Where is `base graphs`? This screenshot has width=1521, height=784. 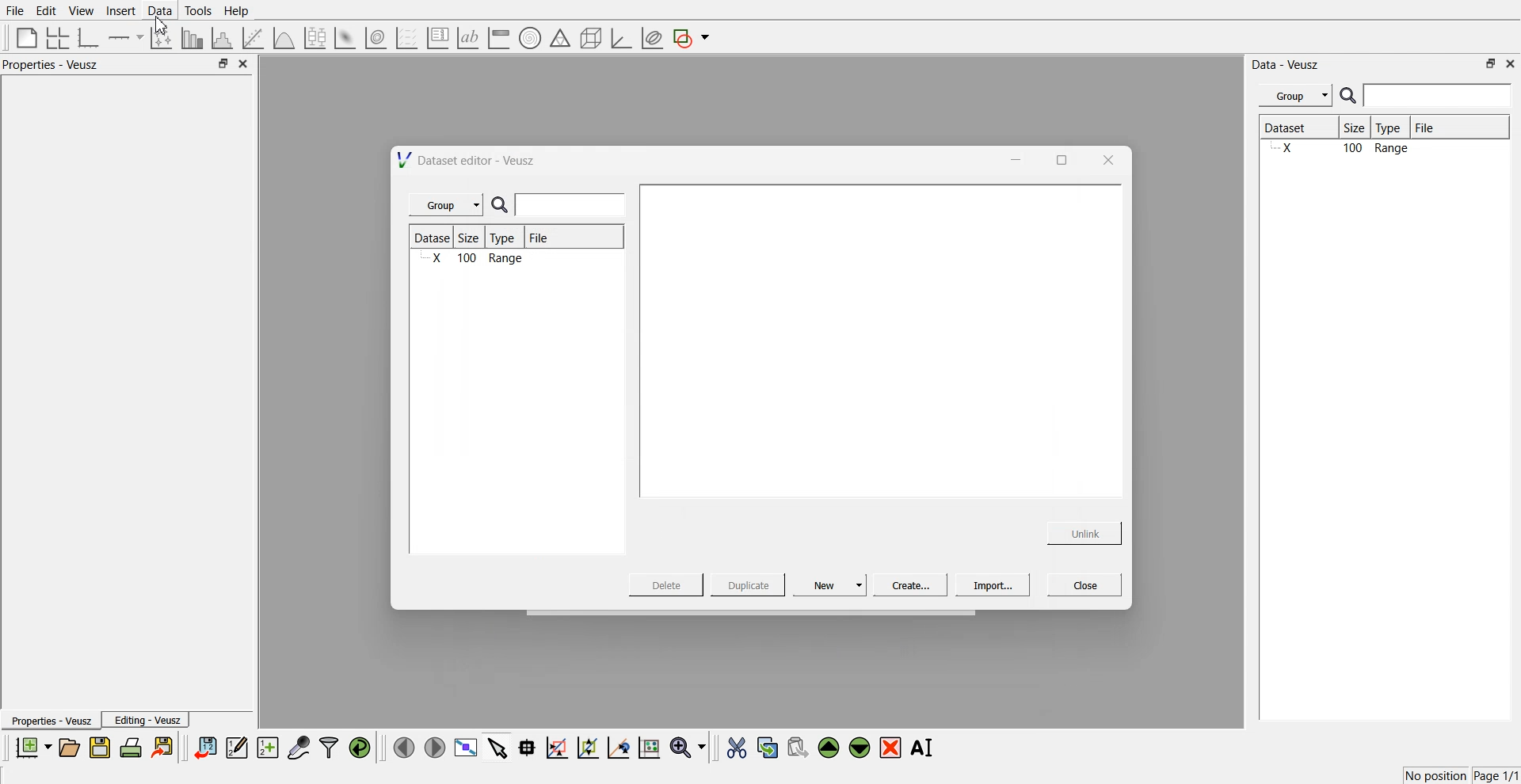
base graphs is located at coordinates (90, 37).